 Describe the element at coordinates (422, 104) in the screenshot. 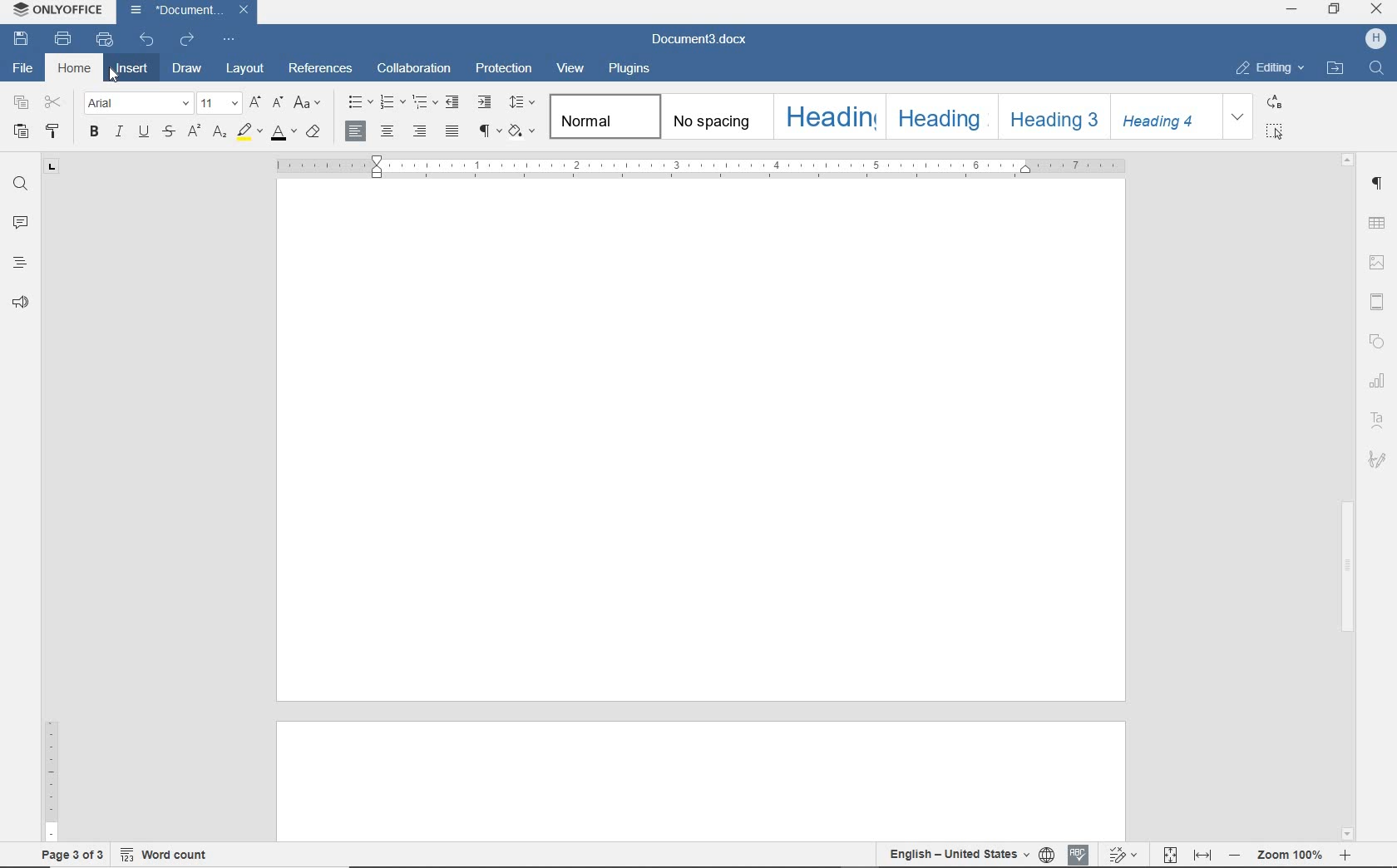

I see `MULTILEVEL LIST` at that location.